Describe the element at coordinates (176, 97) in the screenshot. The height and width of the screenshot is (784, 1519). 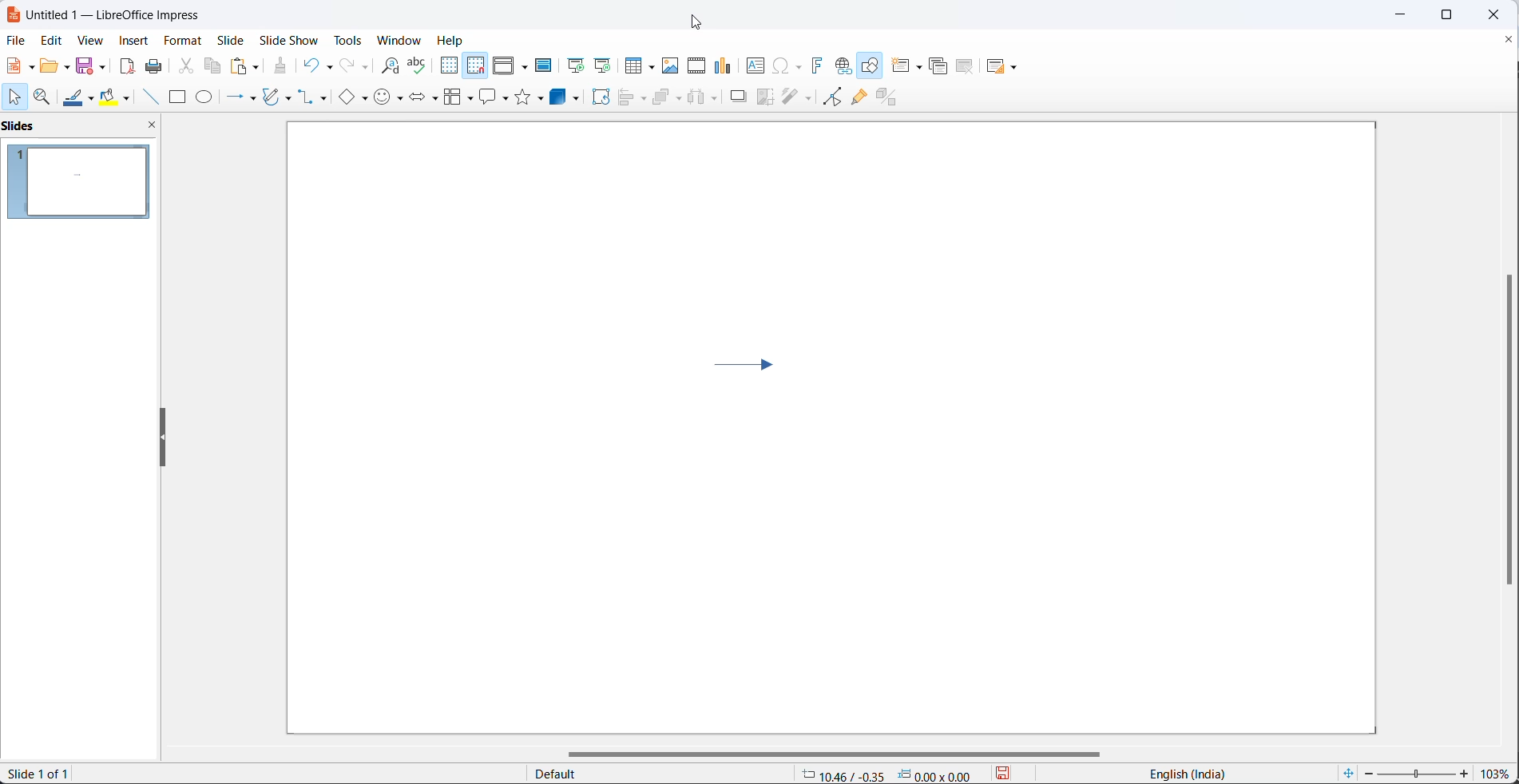
I see `rectangle` at that location.